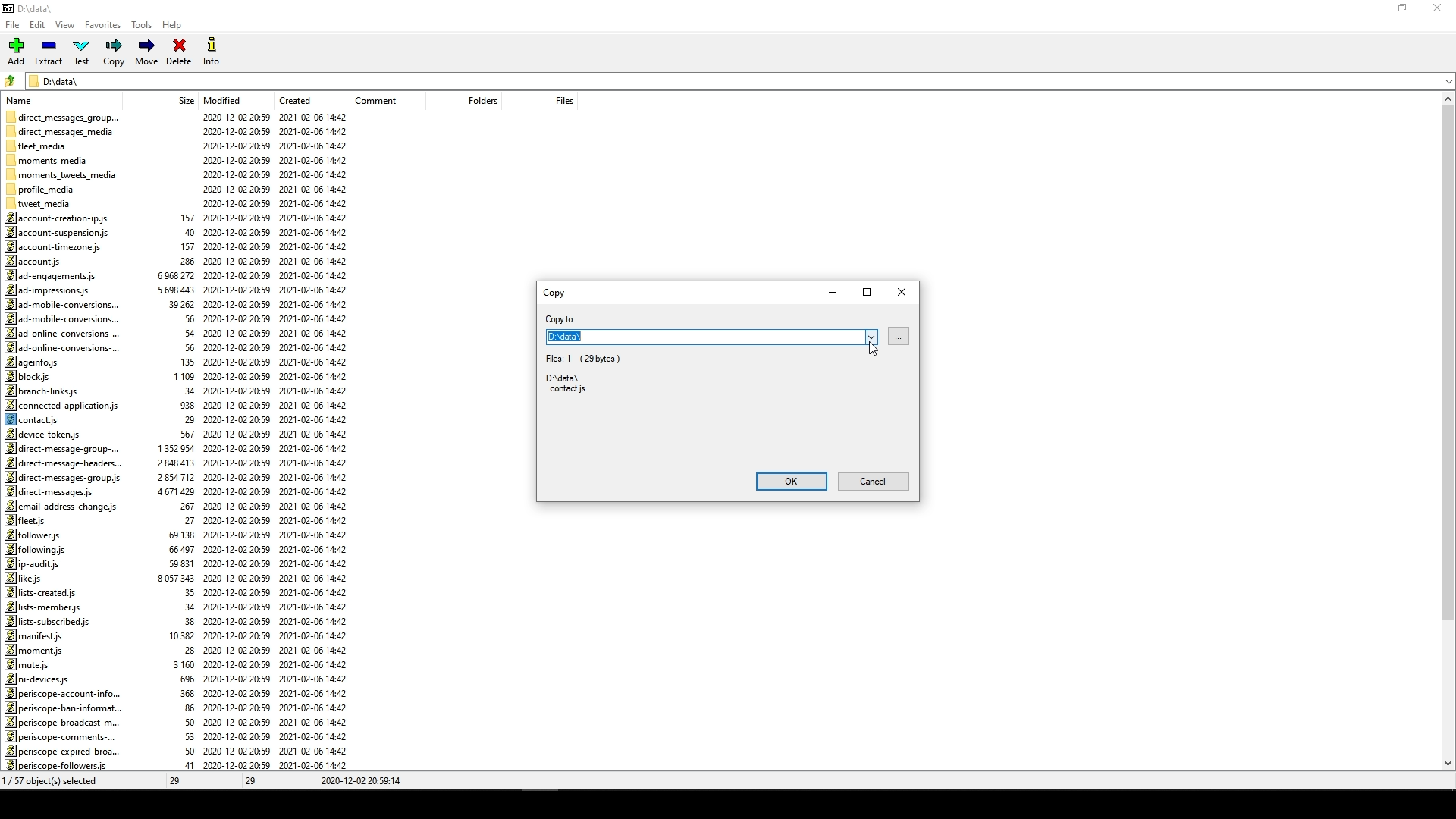 The height and width of the screenshot is (819, 1456). What do you see at coordinates (316, 442) in the screenshot?
I see `created date and time` at bounding box center [316, 442].